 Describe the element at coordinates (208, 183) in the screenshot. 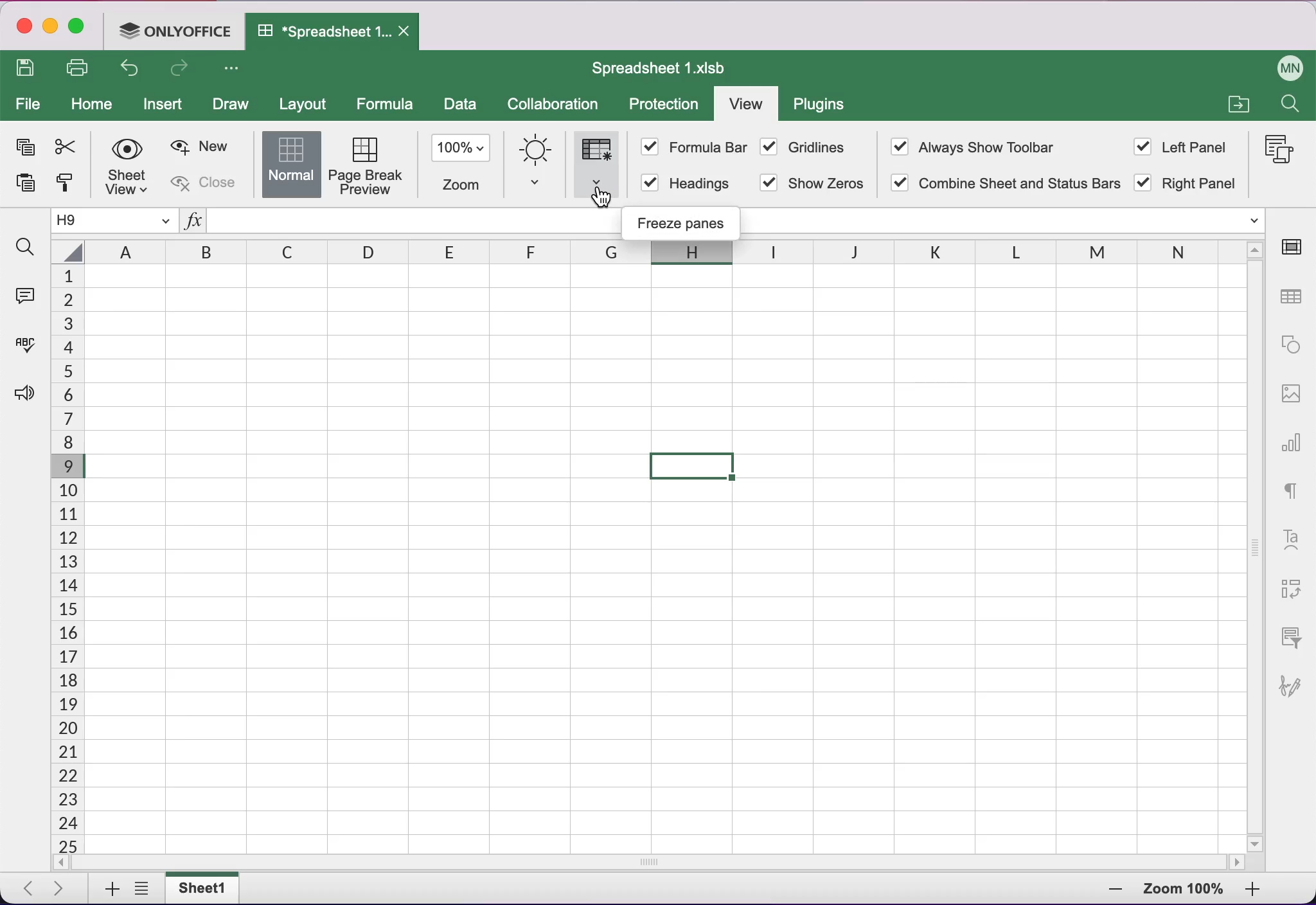

I see `close` at that location.